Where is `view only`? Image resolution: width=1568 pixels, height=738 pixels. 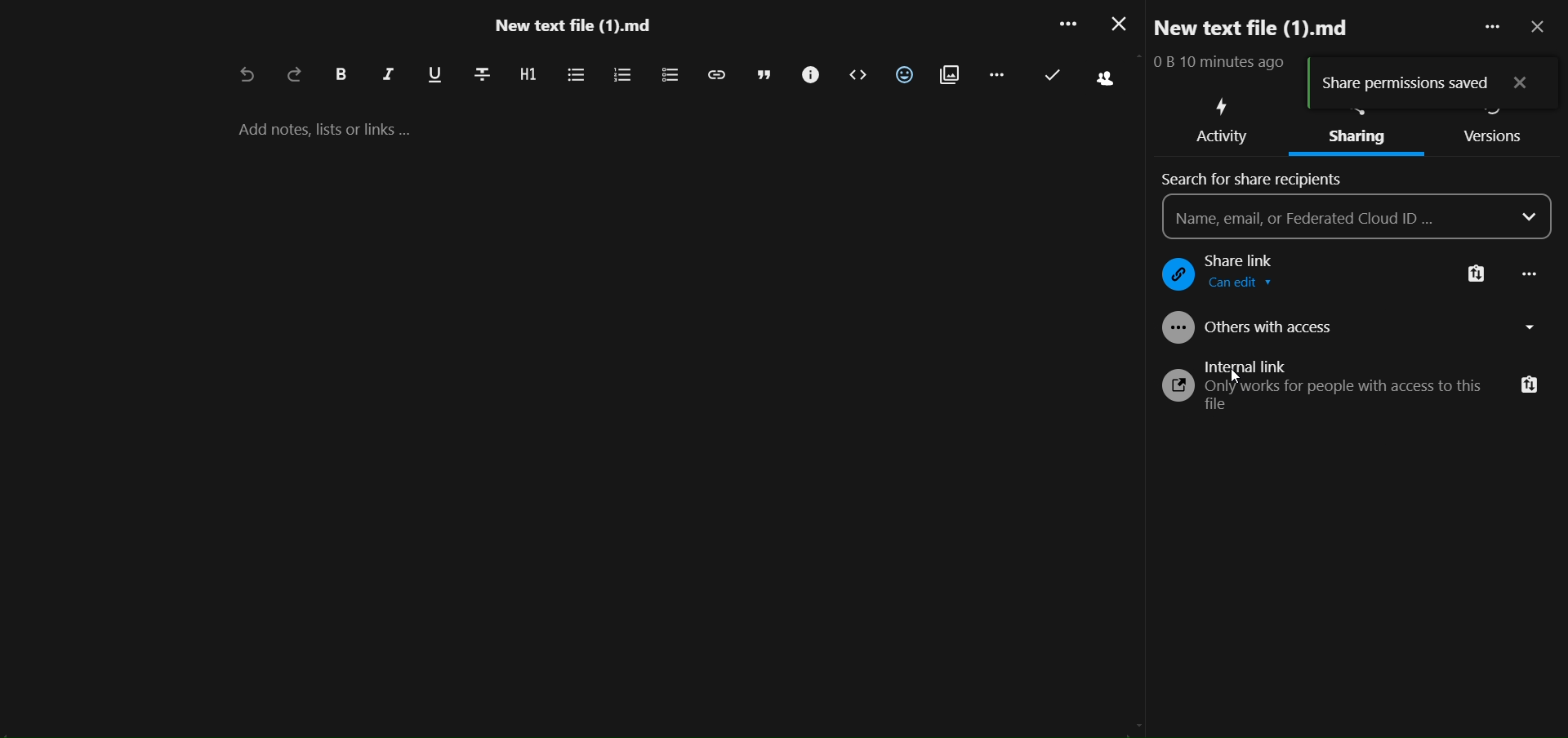 view only is located at coordinates (1254, 287).